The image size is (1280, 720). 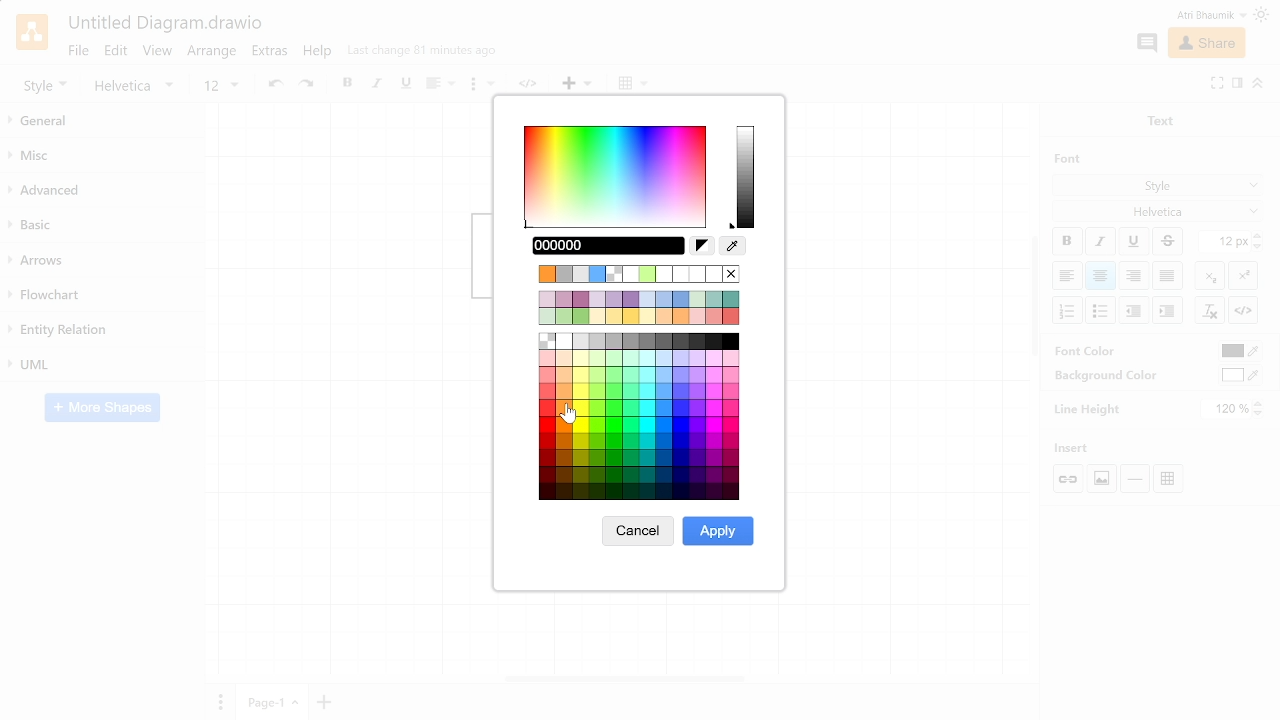 I want to click on Drag.io logo, so click(x=31, y=32).